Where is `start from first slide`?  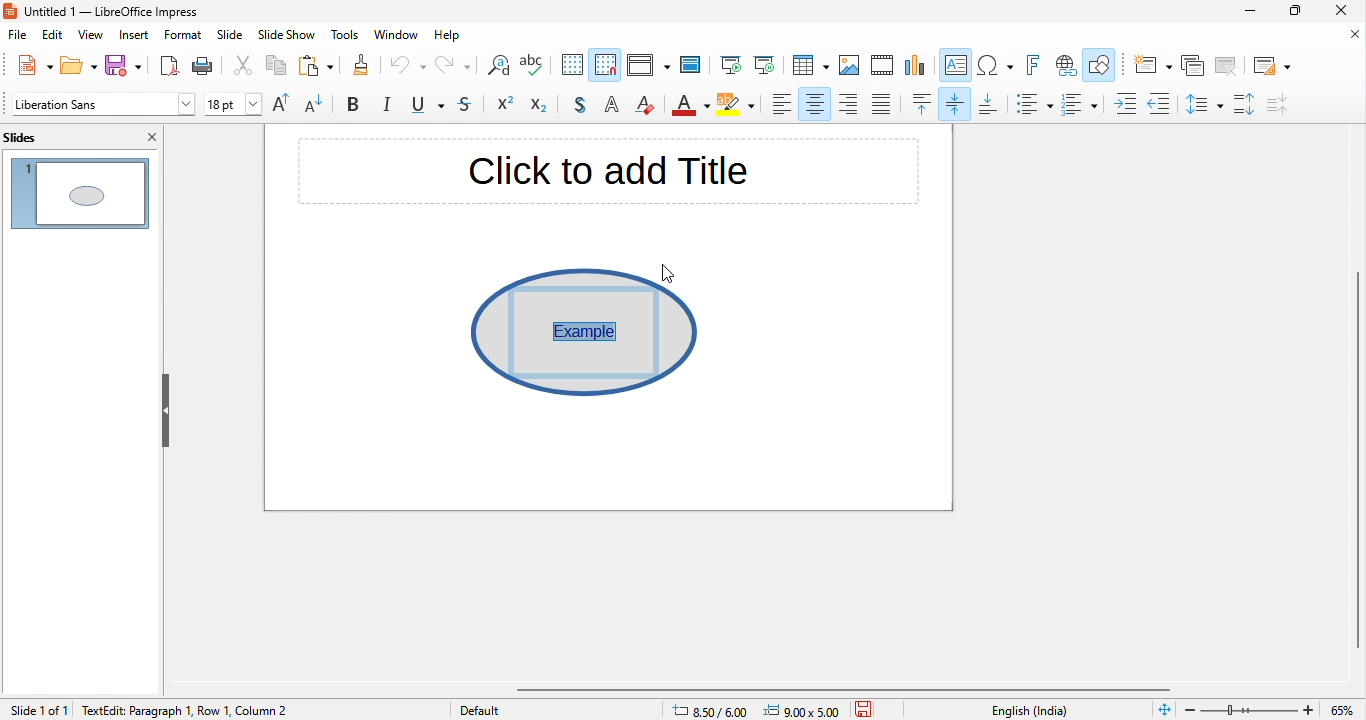
start from first slide is located at coordinates (730, 66).